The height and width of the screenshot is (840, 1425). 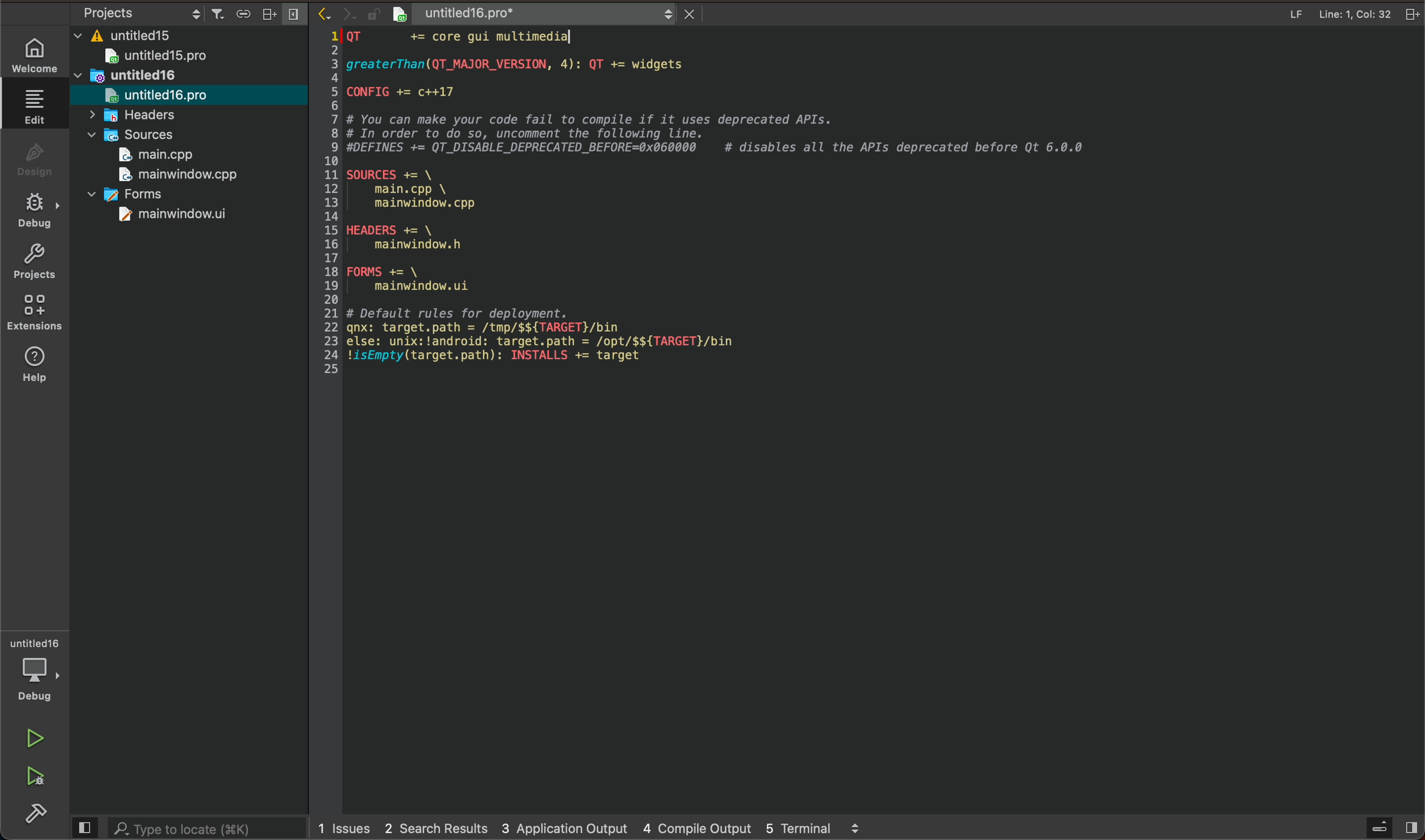 I want to click on untitledpro, so click(x=161, y=96).